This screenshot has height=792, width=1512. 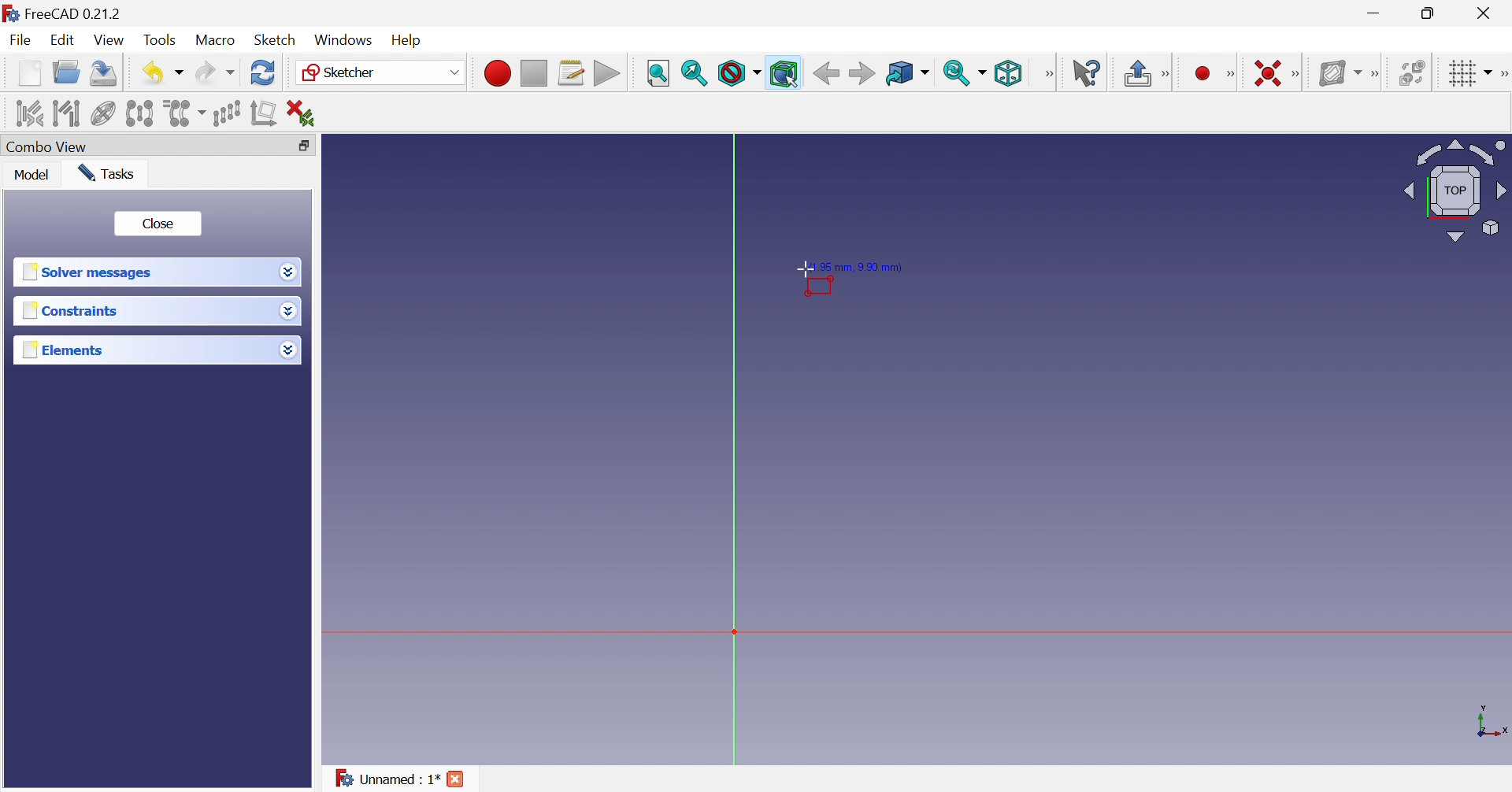 I want to click on Stop macro recording, so click(x=534, y=72).